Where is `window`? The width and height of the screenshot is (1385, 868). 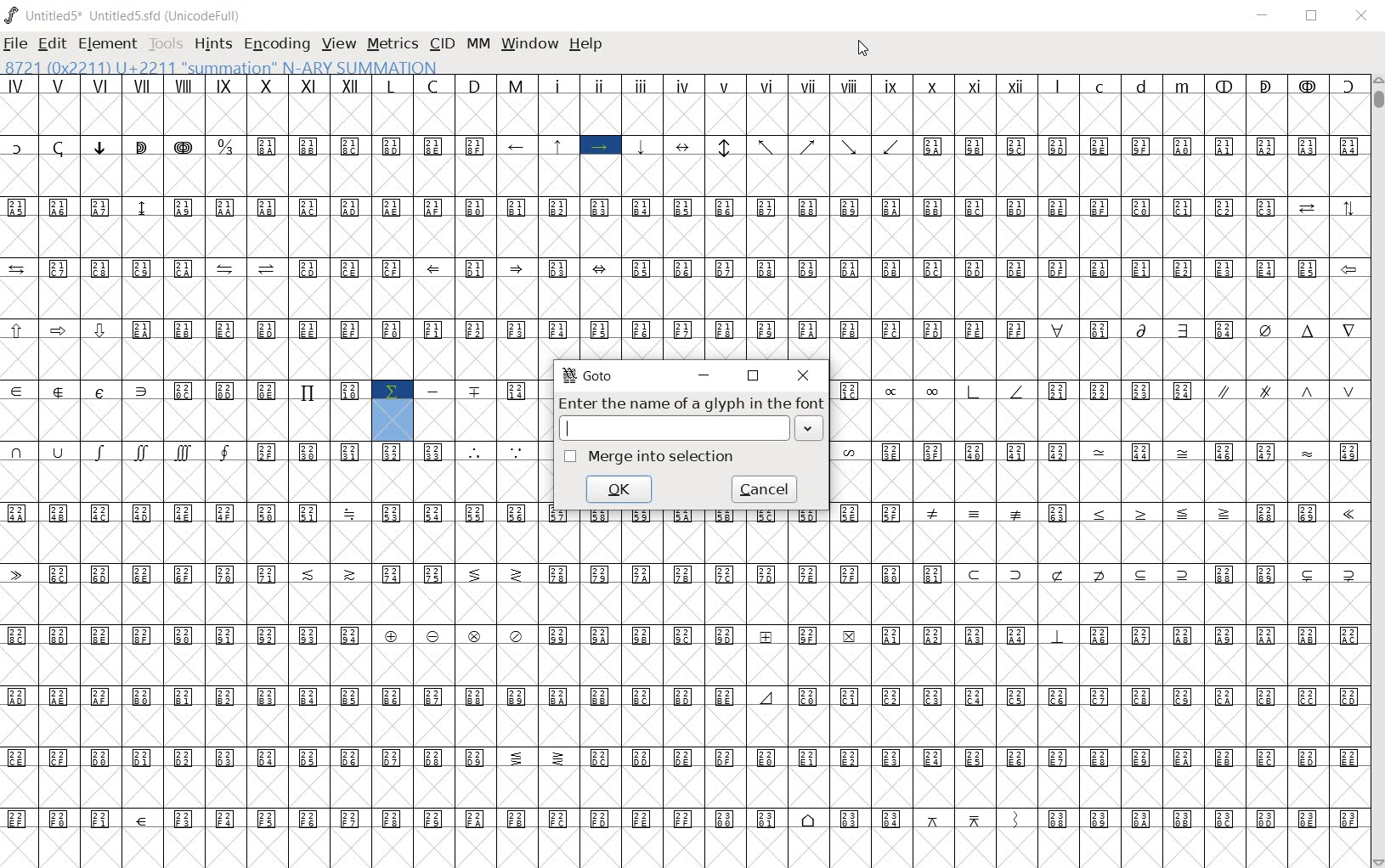
window is located at coordinates (529, 42).